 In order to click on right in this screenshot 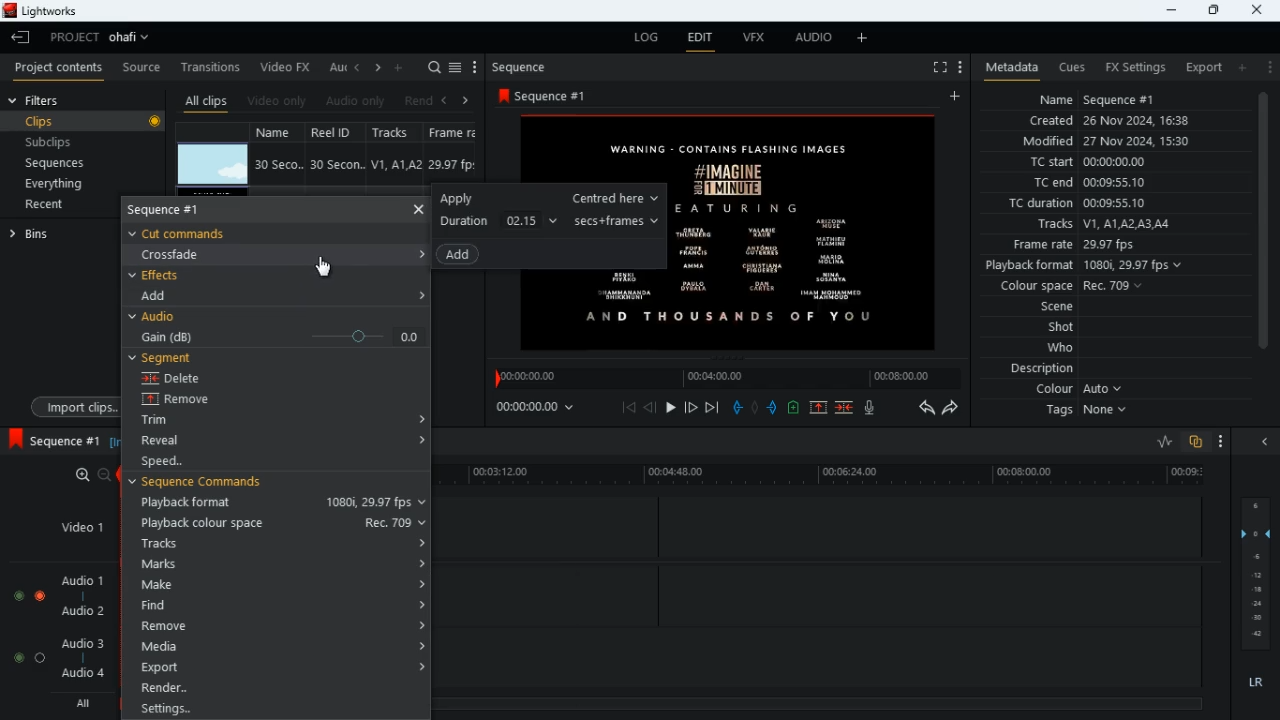, I will do `click(378, 69)`.